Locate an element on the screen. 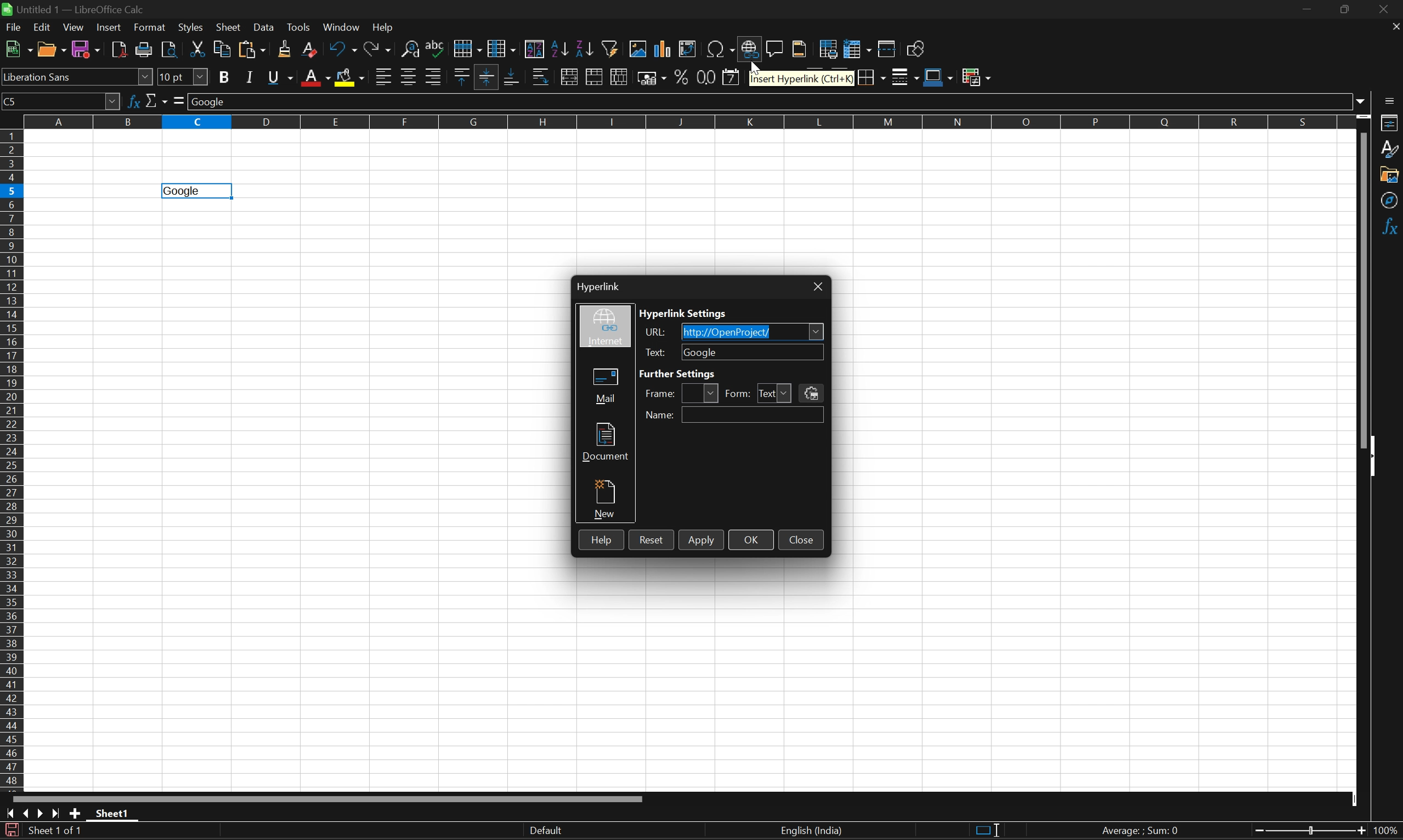 This screenshot has width=1403, height=840. Align right is located at coordinates (434, 77).